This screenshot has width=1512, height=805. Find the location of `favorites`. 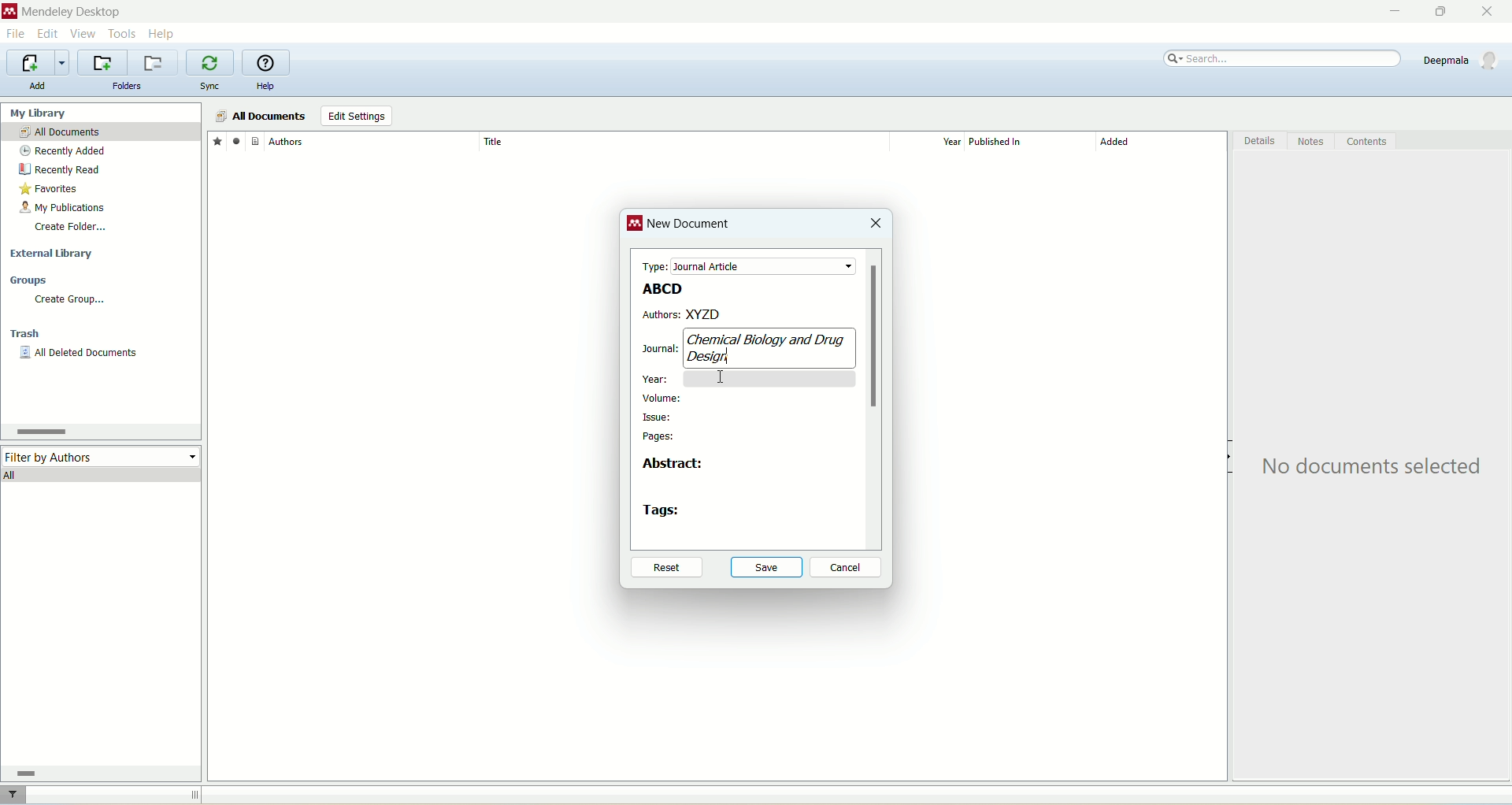

favorites is located at coordinates (50, 191).